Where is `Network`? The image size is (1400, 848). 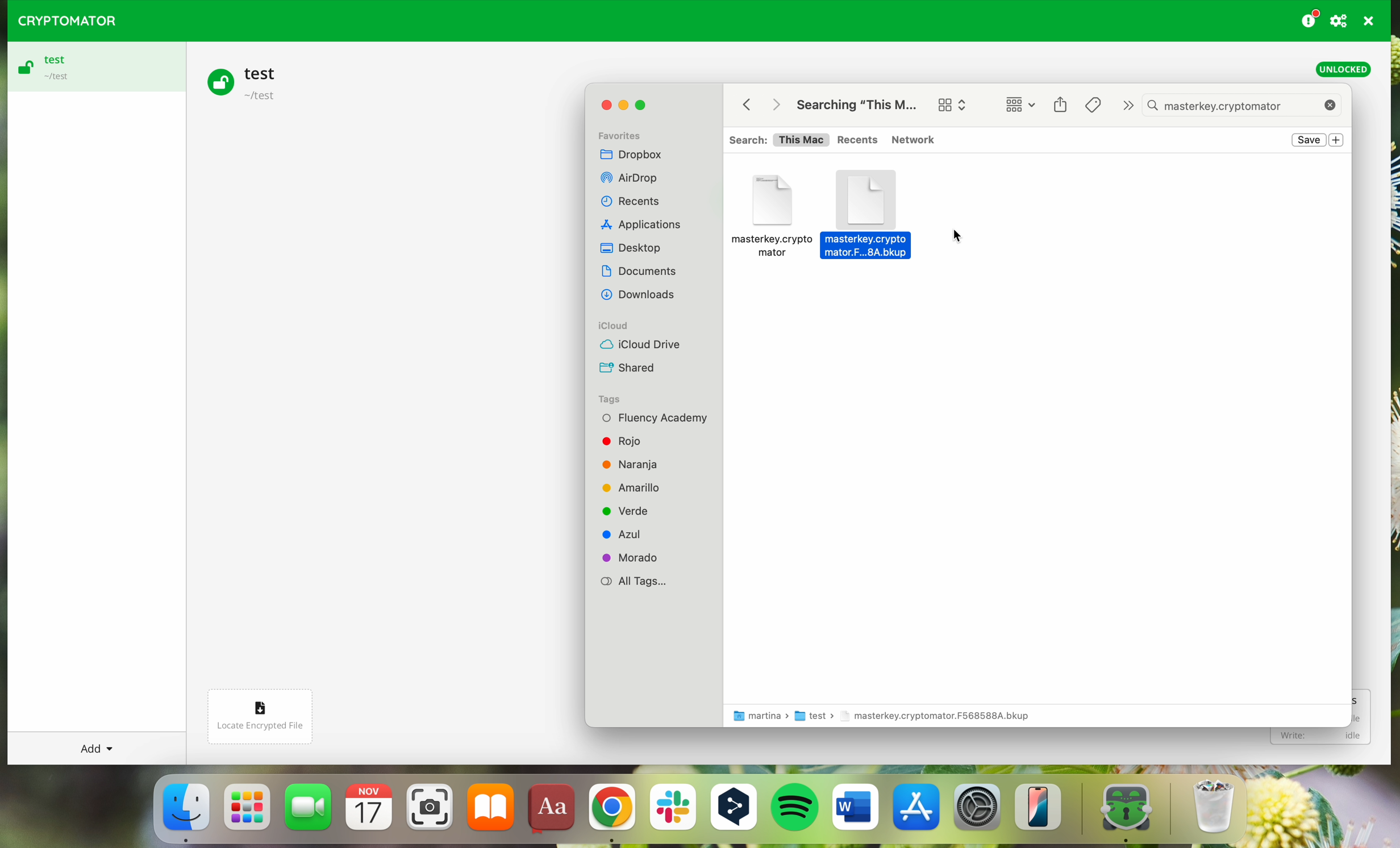
Network is located at coordinates (915, 139).